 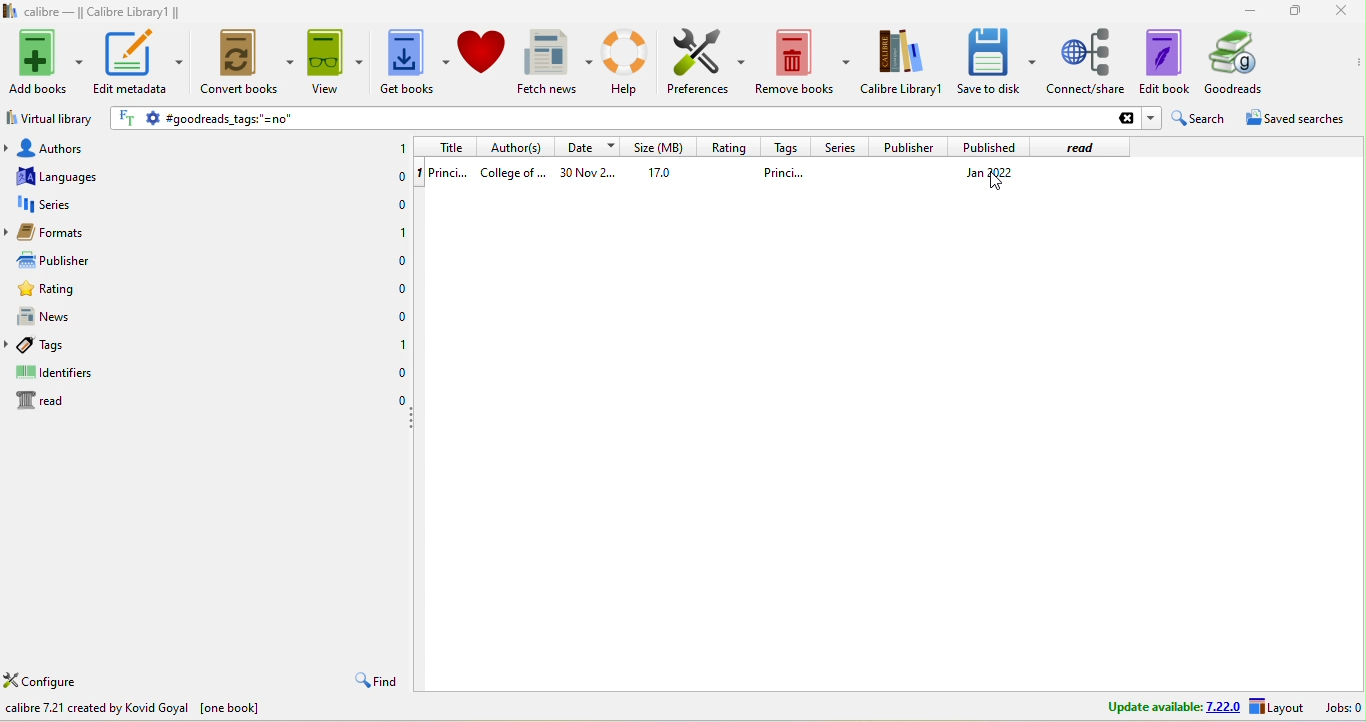 What do you see at coordinates (152, 119) in the screenshot?
I see `settings` at bounding box center [152, 119].